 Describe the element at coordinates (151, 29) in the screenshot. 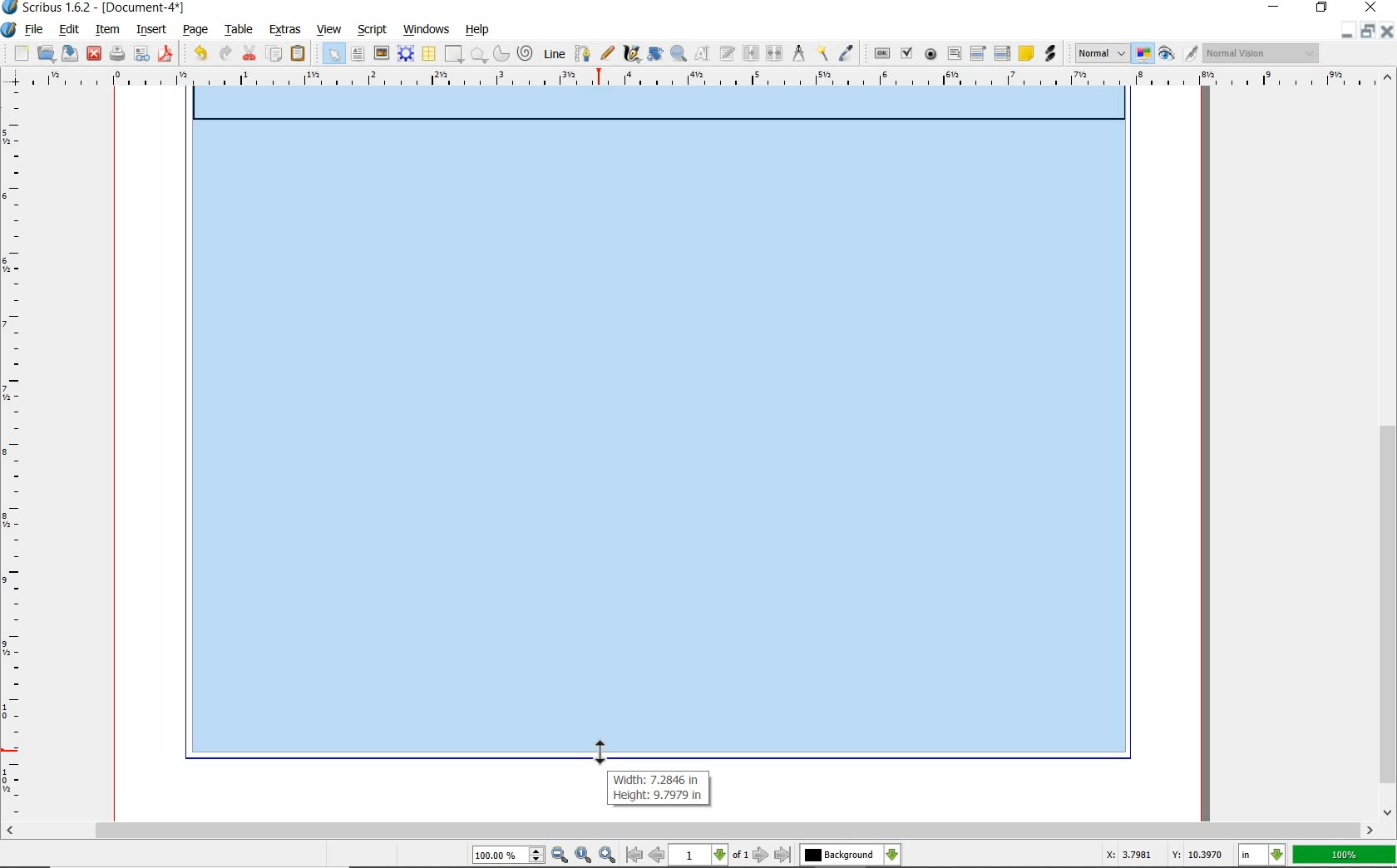

I see `insert` at that location.